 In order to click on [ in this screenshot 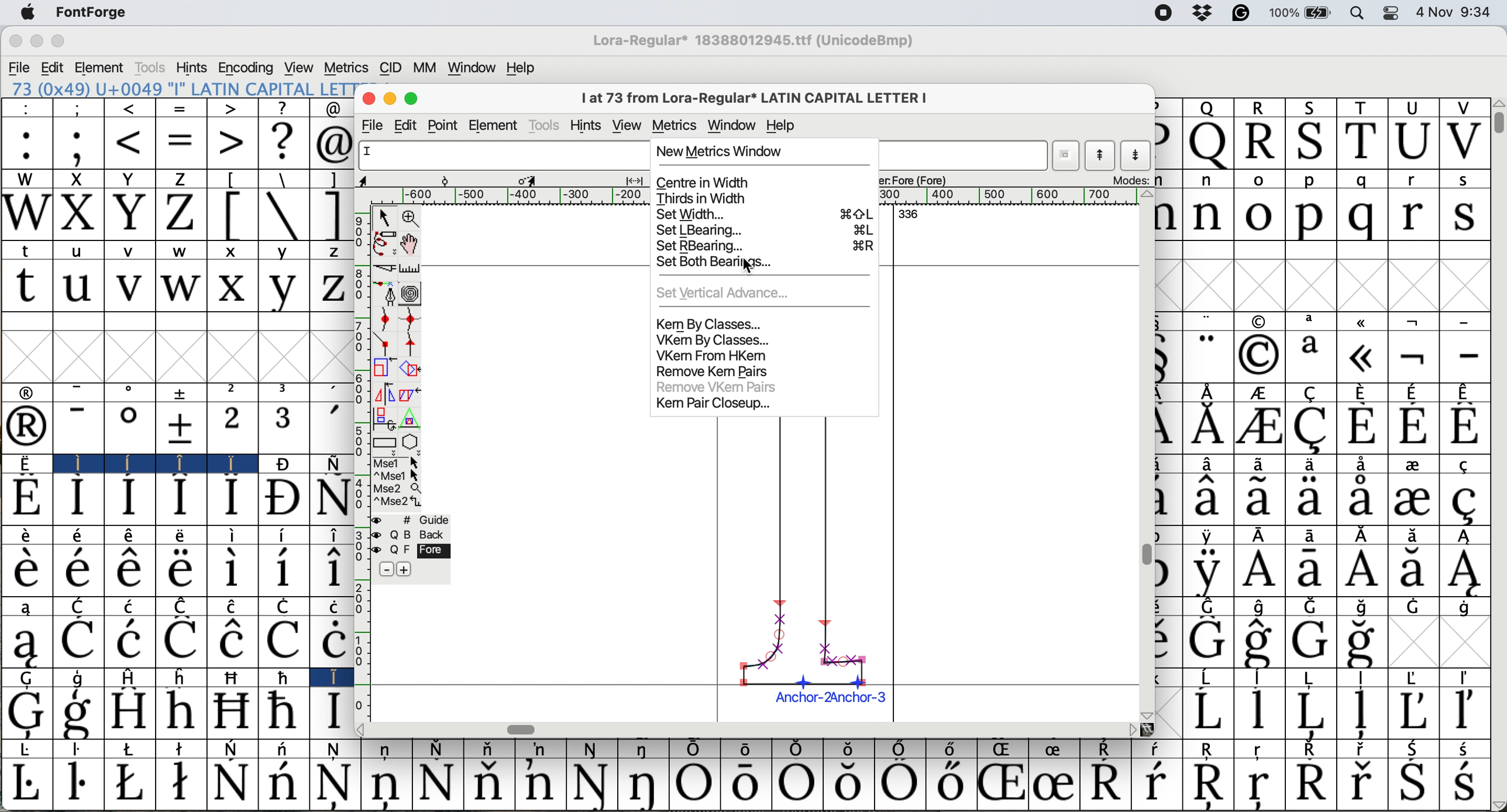, I will do `click(232, 215)`.